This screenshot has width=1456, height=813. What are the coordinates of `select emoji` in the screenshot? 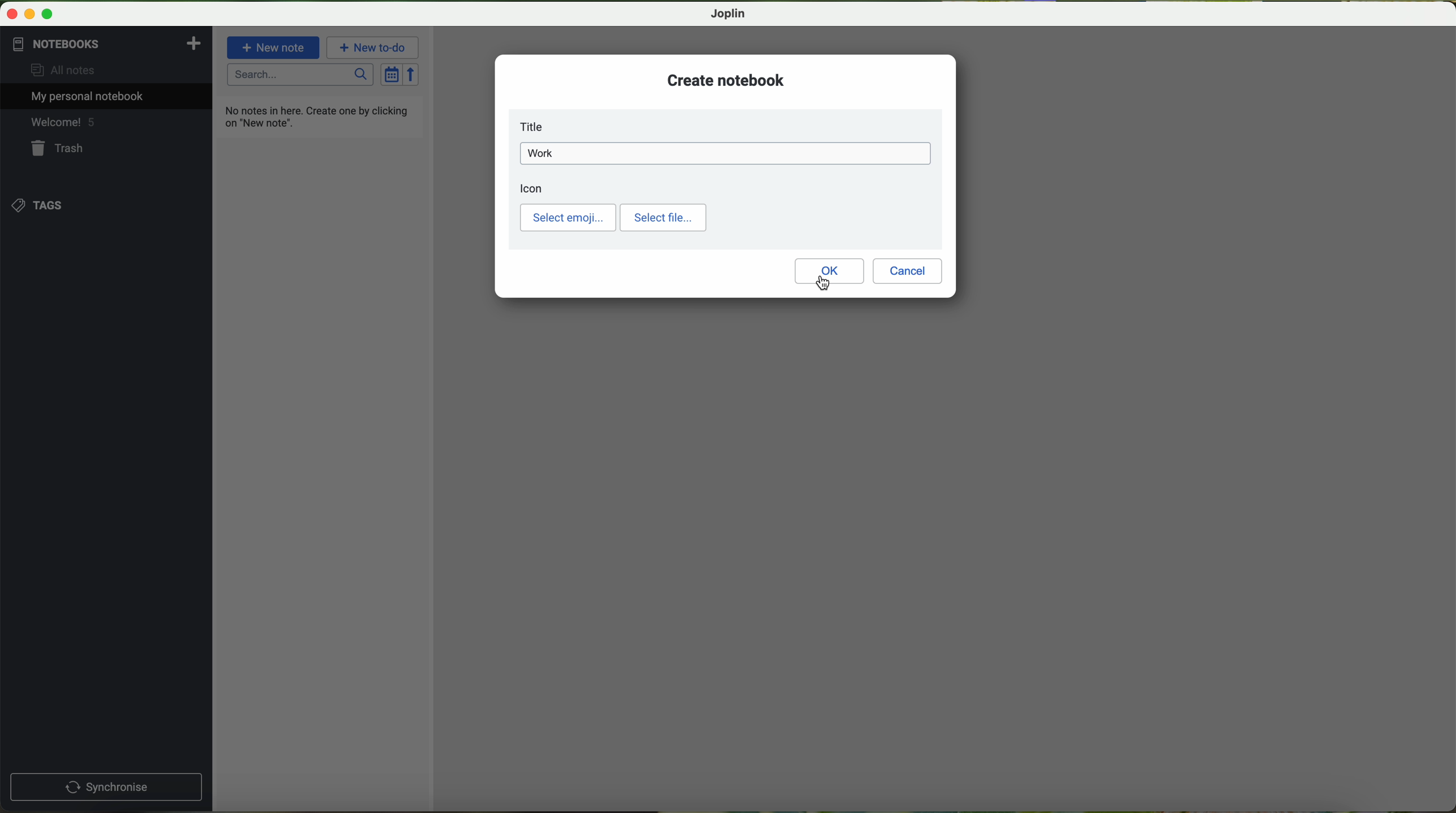 It's located at (568, 218).